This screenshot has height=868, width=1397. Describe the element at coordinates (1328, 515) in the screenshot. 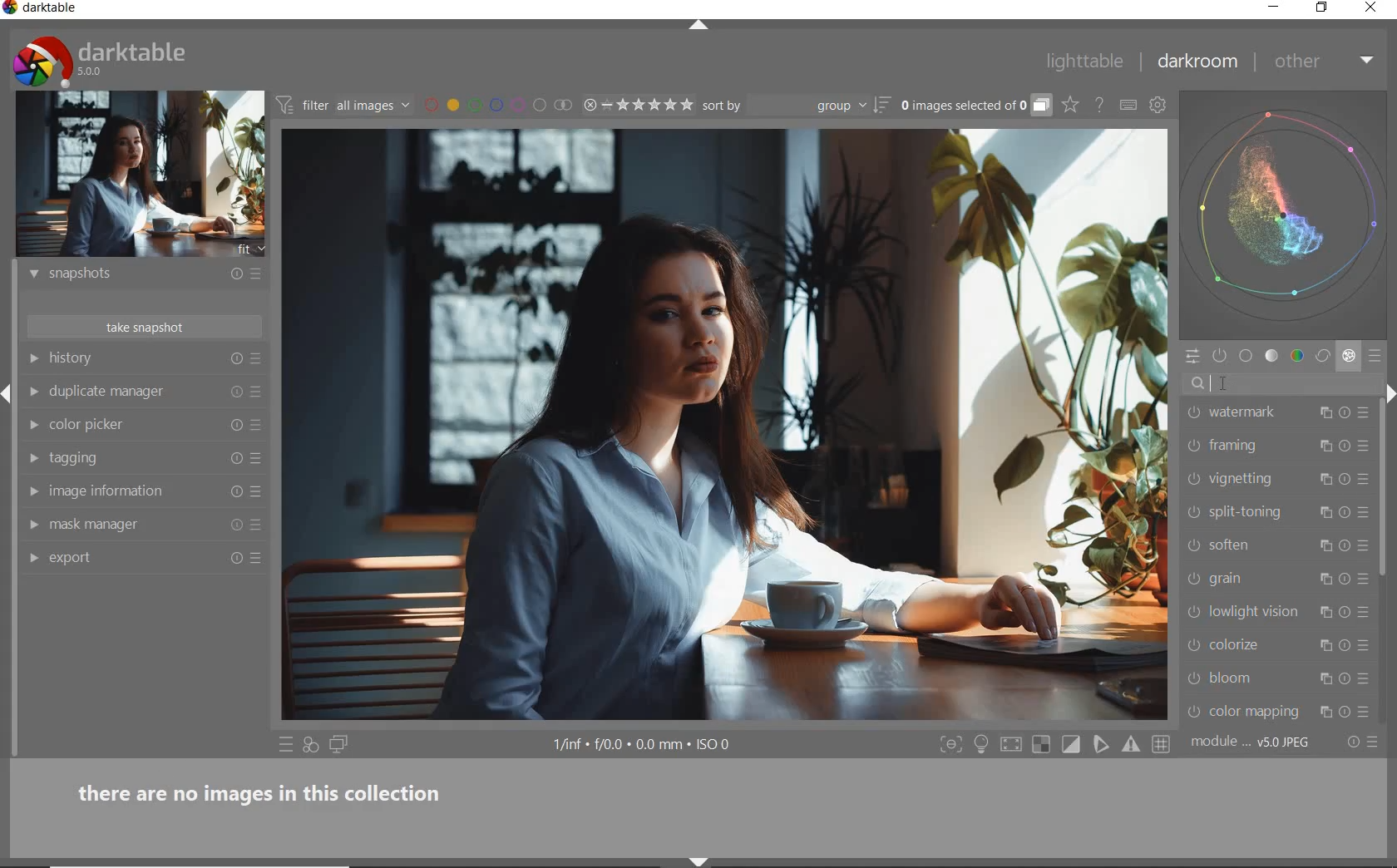

I see `multiple instance actions` at that location.